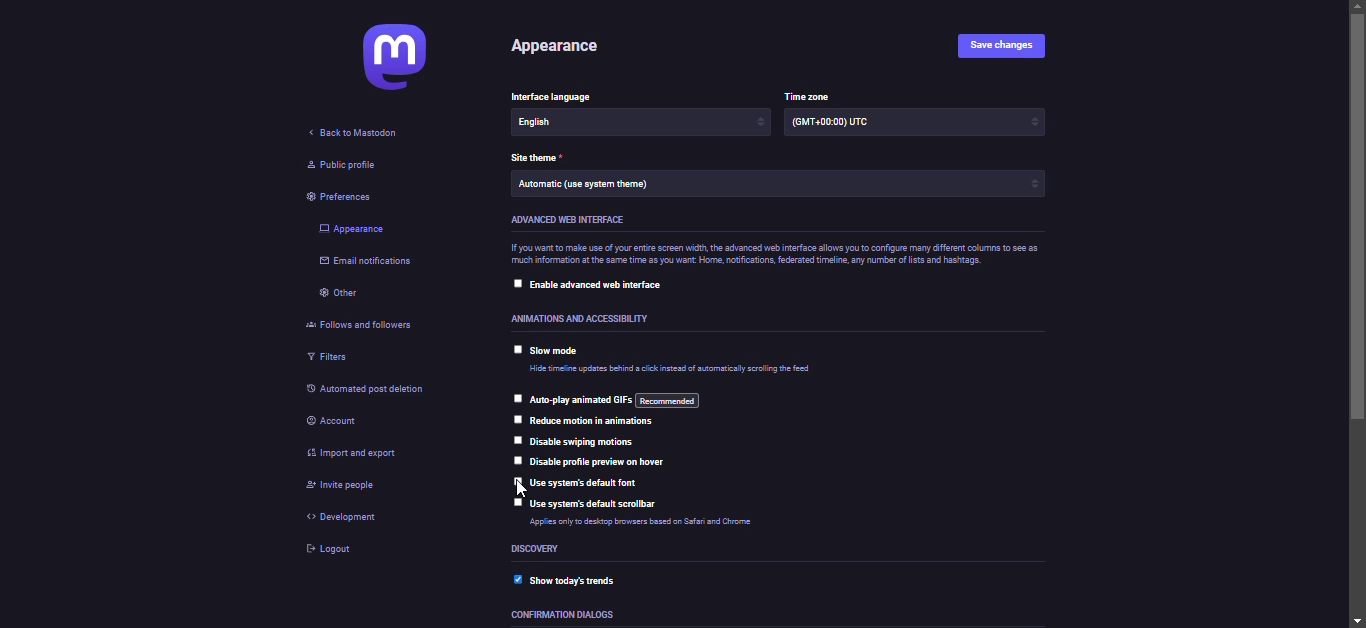 The width and height of the screenshot is (1366, 628). What do you see at coordinates (329, 358) in the screenshot?
I see `filters` at bounding box center [329, 358].